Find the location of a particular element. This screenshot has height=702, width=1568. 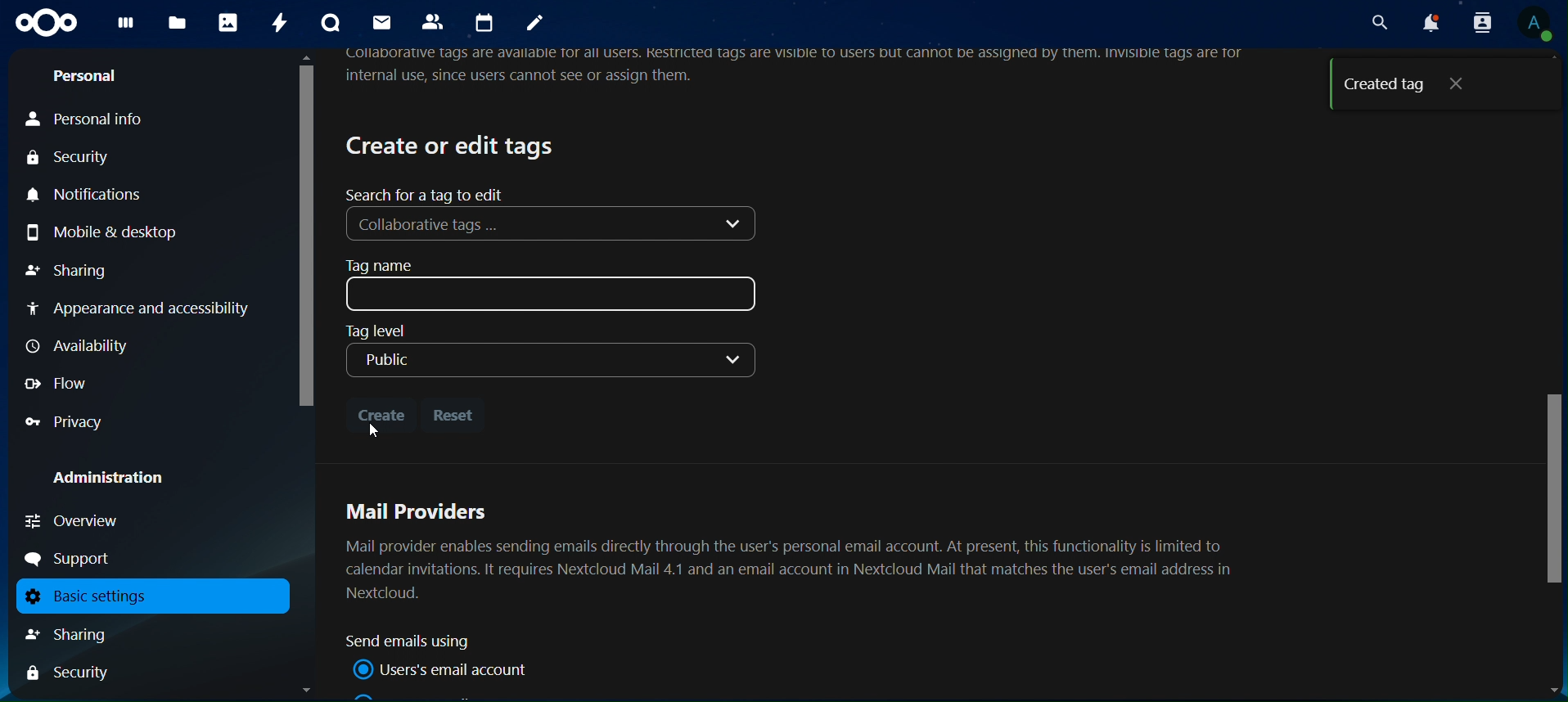

Ollaborative tags are available Tor all USErs. Restricted tags are VISIDIE TO USErs but cannot be assignea by them. InvisiDI€ tags are Tornternal use, since users cannot see or assign them. is located at coordinates (802, 68).